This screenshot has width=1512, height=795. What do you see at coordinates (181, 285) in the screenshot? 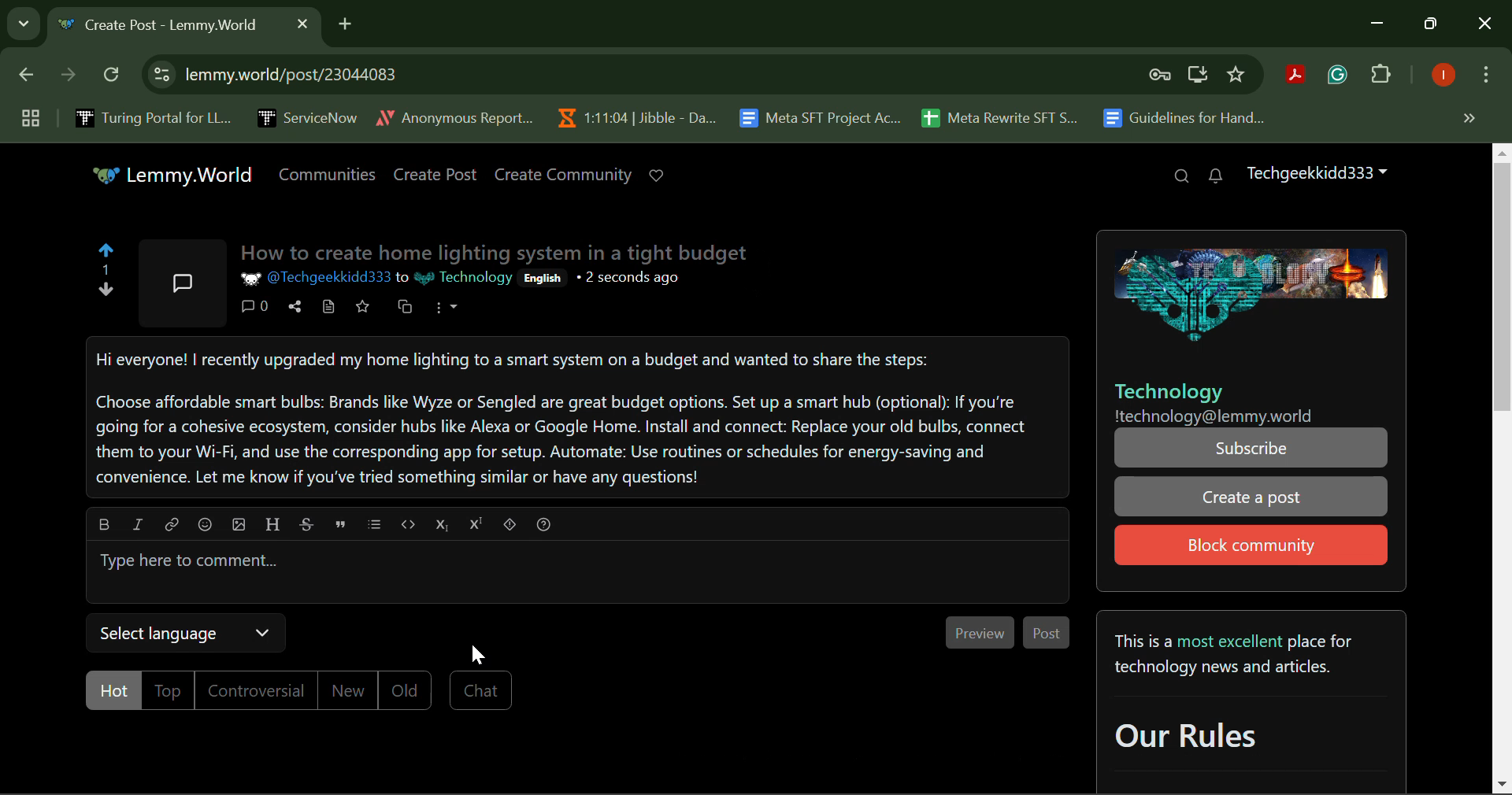
I see `Community Post Iconography` at bounding box center [181, 285].